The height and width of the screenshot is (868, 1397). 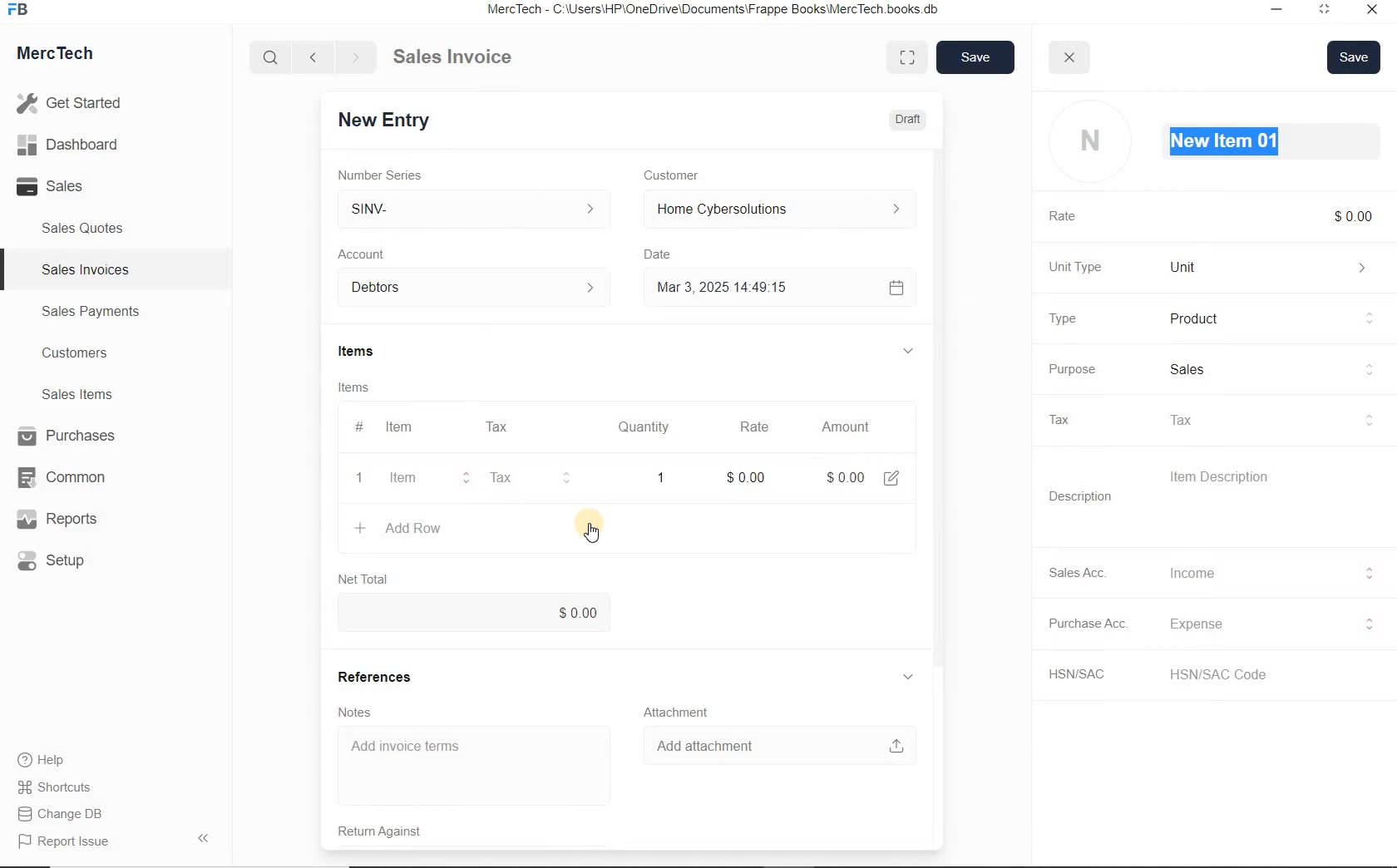 I want to click on create, so click(x=358, y=527).